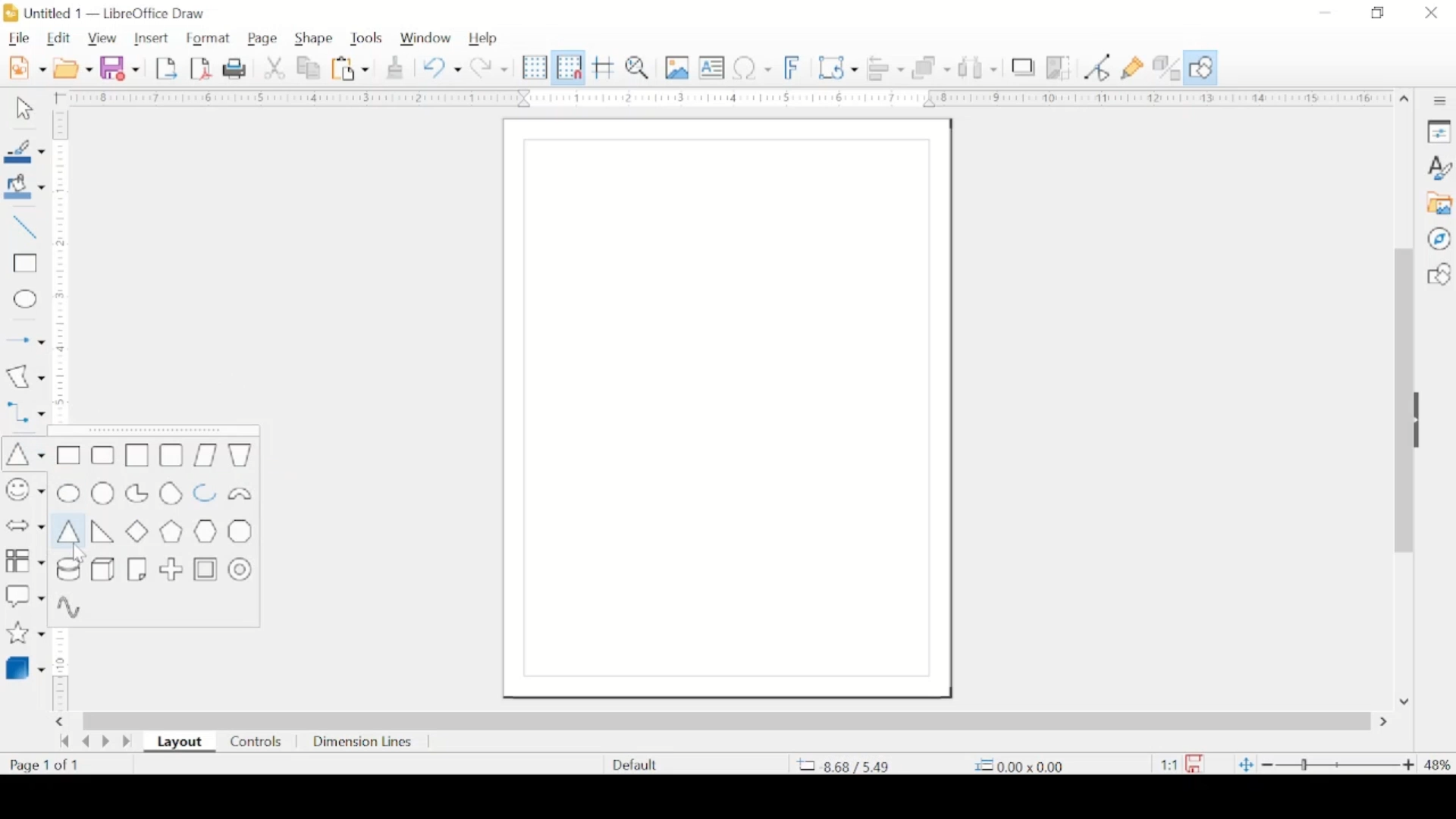  What do you see at coordinates (202, 69) in the screenshot?
I see `export directly as pdf` at bounding box center [202, 69].